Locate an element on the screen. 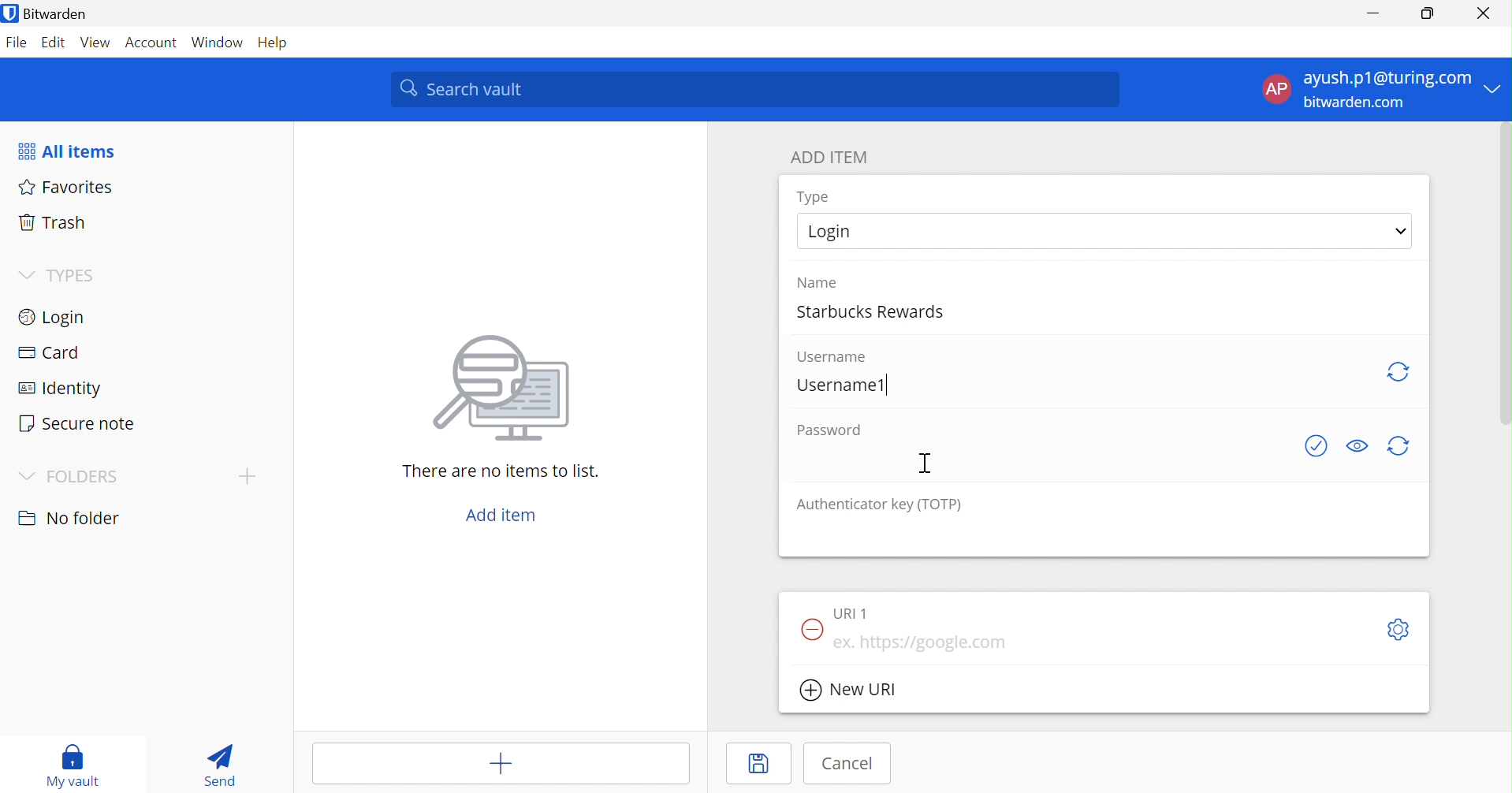 The width and height of the screenshot is (1512, 793). Account is located at coordinates (154, 43).